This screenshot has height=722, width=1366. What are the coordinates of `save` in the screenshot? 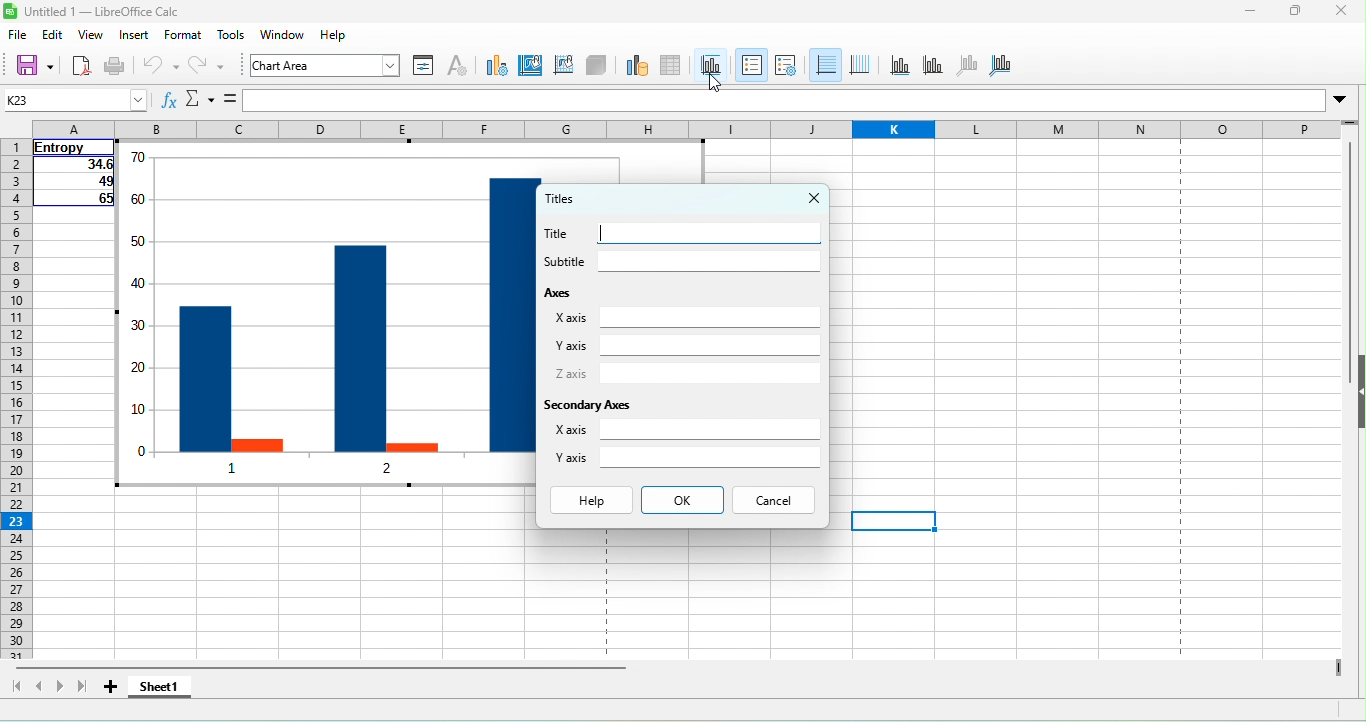 It's located at (35, 67).